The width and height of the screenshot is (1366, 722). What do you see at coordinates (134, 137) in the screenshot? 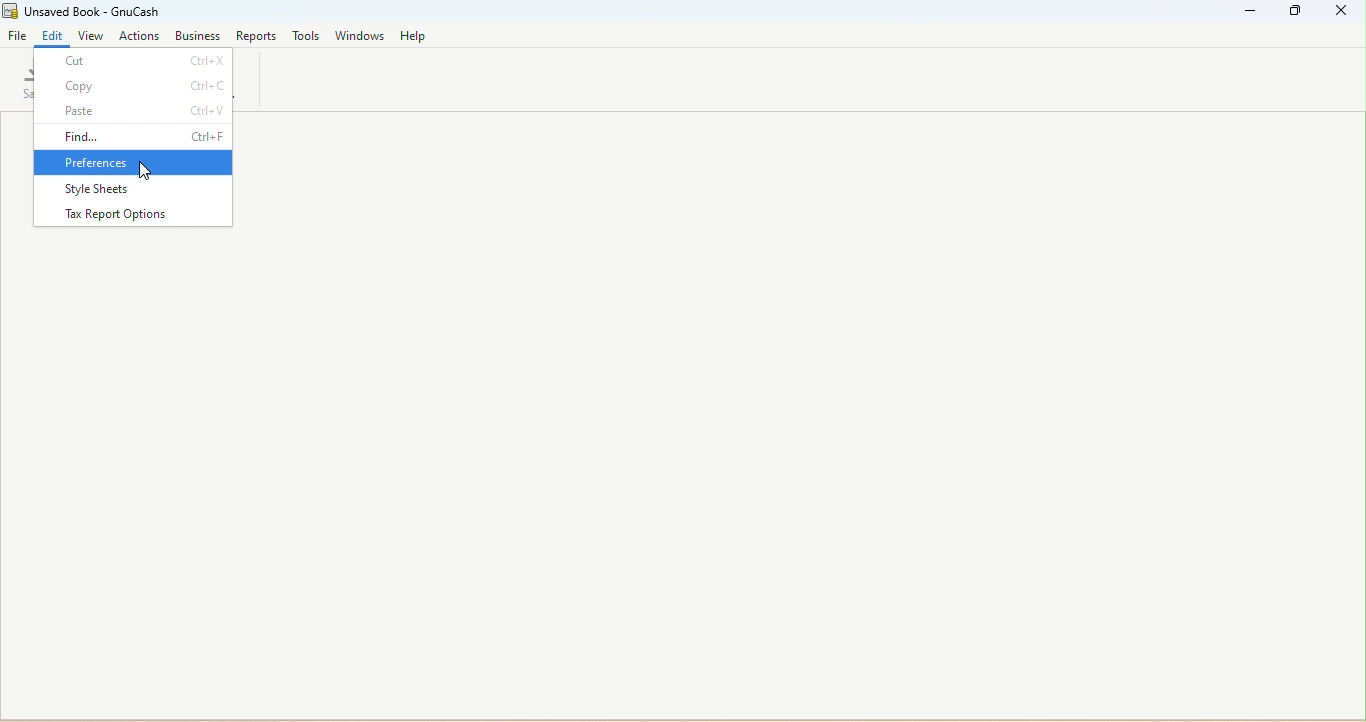
I see `Find` at bounding box center [134, 137].